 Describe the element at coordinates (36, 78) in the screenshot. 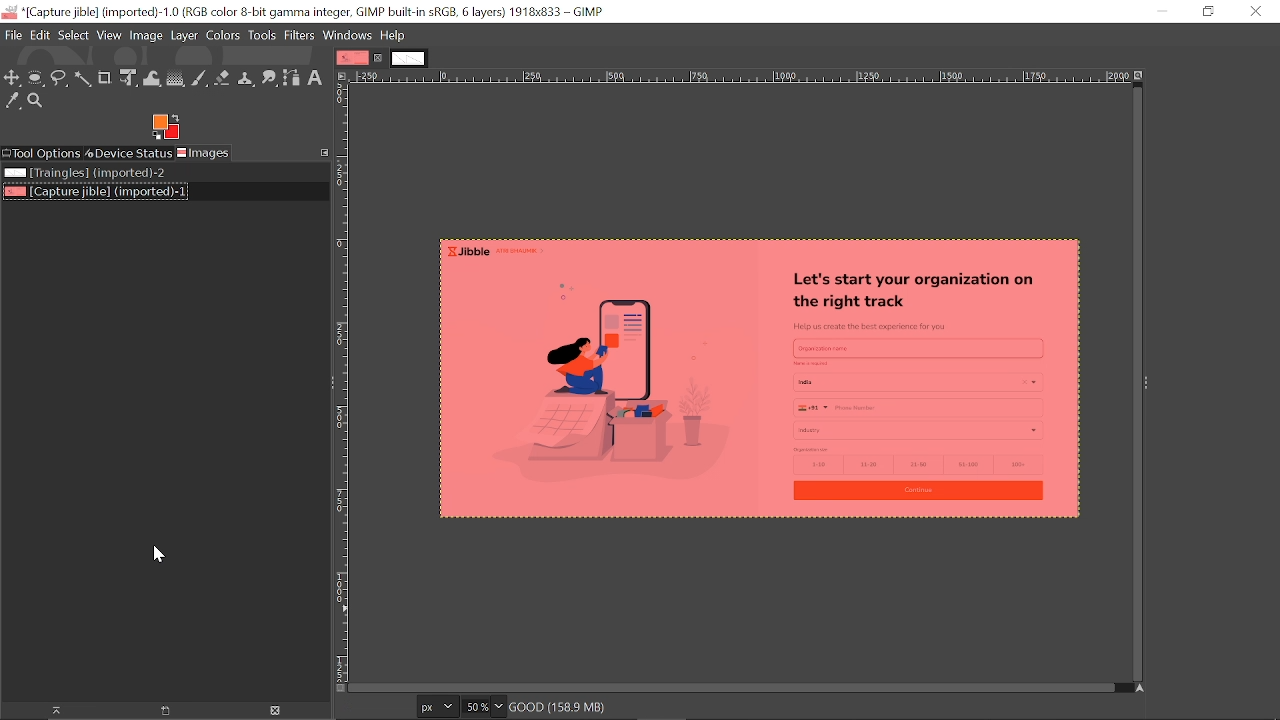

I see `Ellipse select tool` at that location.